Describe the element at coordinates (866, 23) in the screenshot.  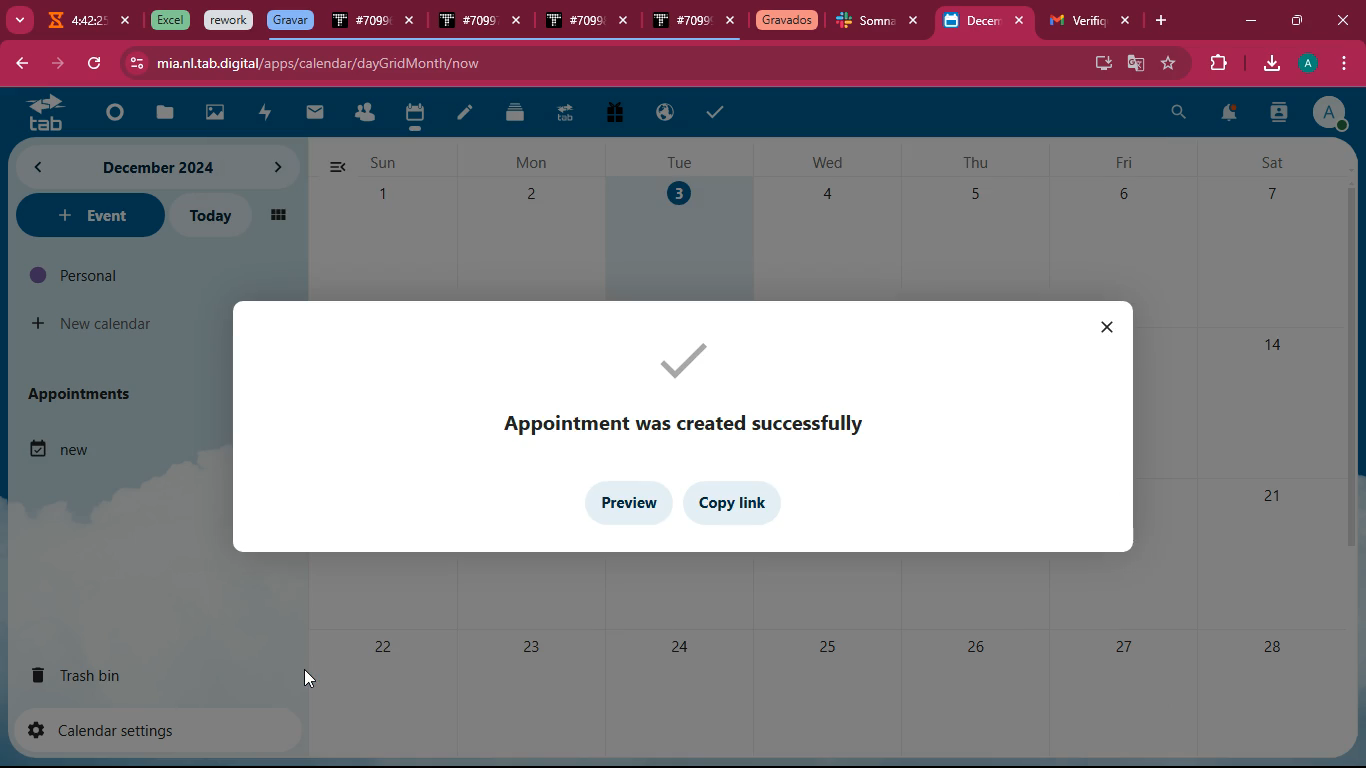
I see `tab` at that location.